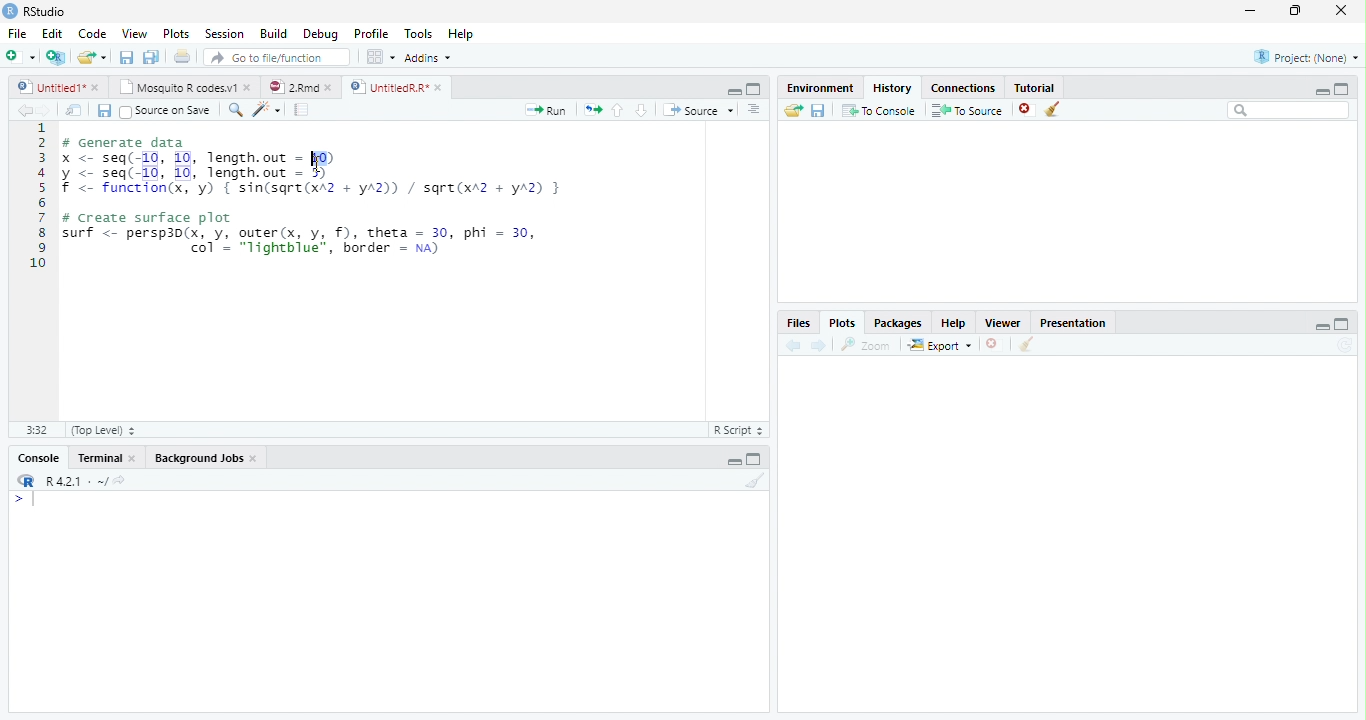 The image size is (1366, 720). What do you see at coordinates (73, 110) in the screenshot?
I see `Show in new window` at bounding box center [73, 110].